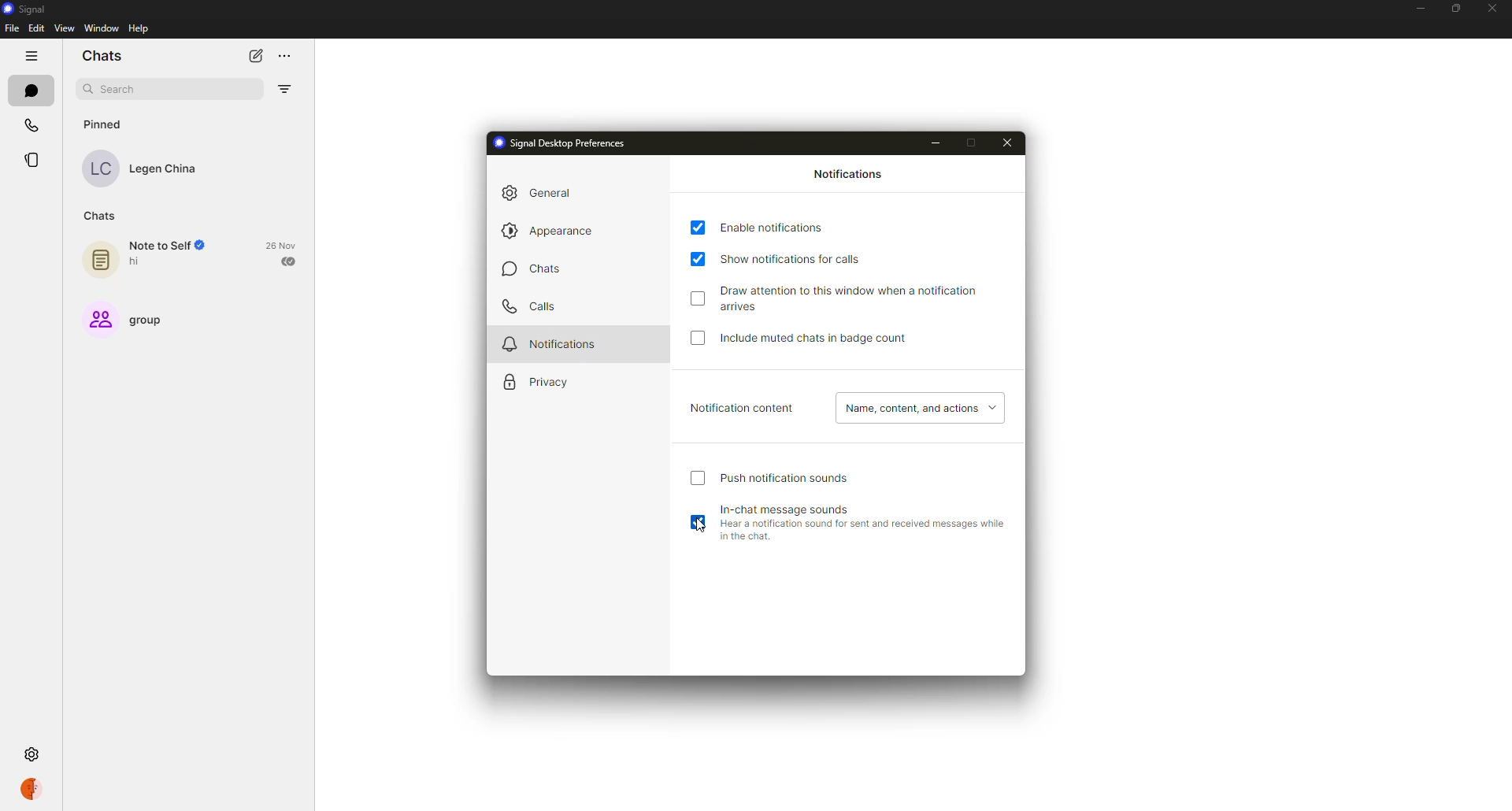 This screenshot has height=811, width=1512. What do you see at coordinates (33, 160) in the screenshot?
I see `stories` at bounding box center [33, 160].